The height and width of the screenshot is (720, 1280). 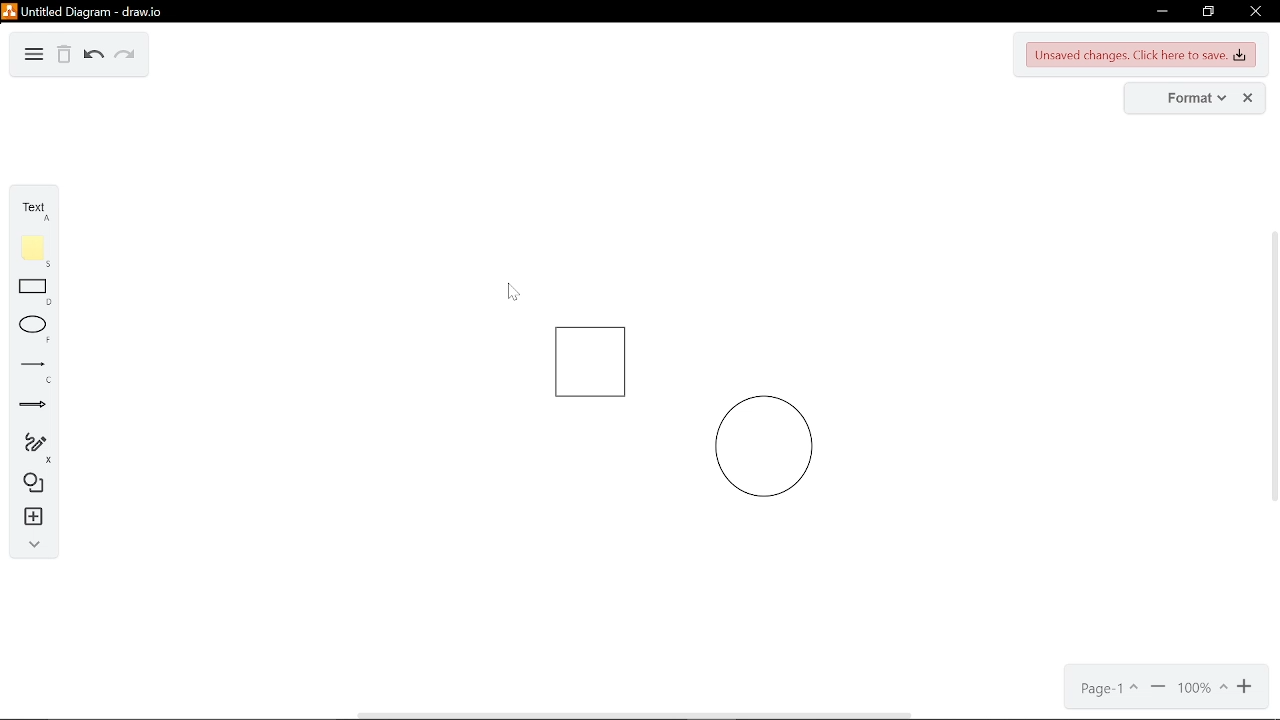 What do you see at coordinates (30, 370) in the screenshot?
I see `line` at bounding box center [30, 370].